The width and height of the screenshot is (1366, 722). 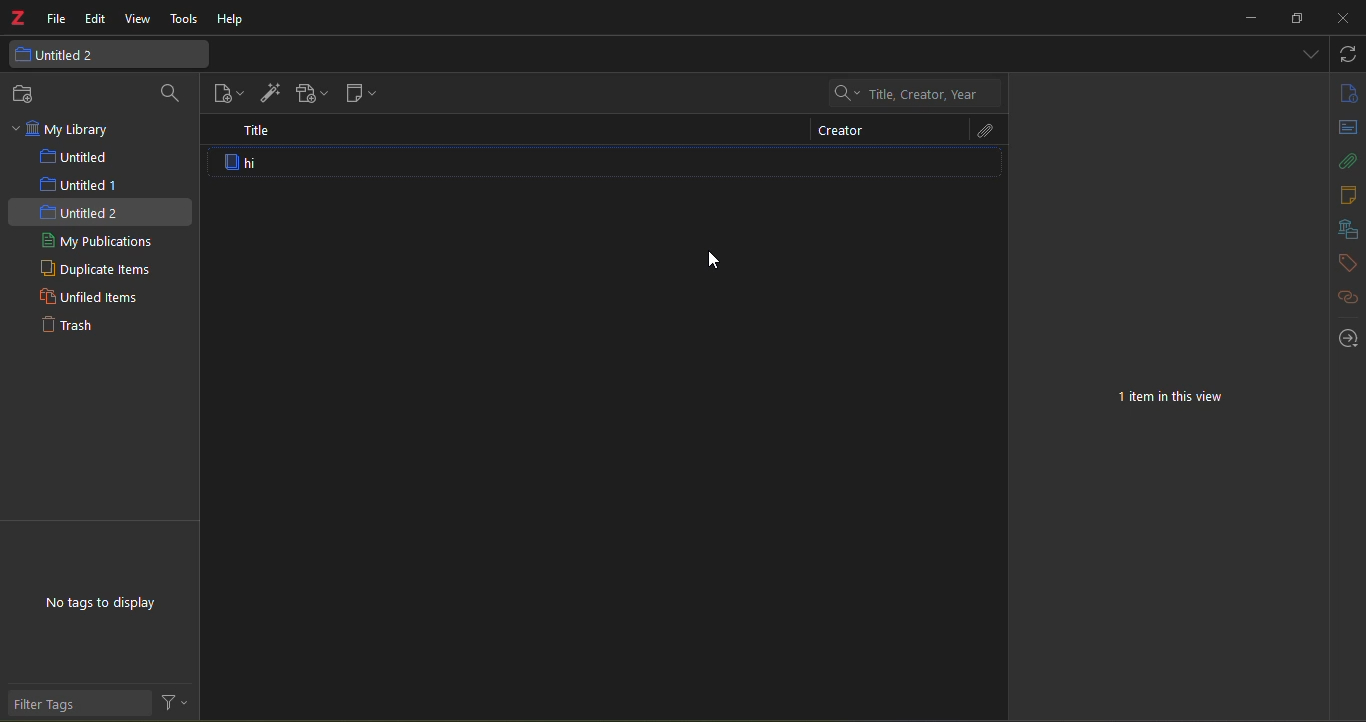 I want to click on untitled 2, so click(x=80, y=213).